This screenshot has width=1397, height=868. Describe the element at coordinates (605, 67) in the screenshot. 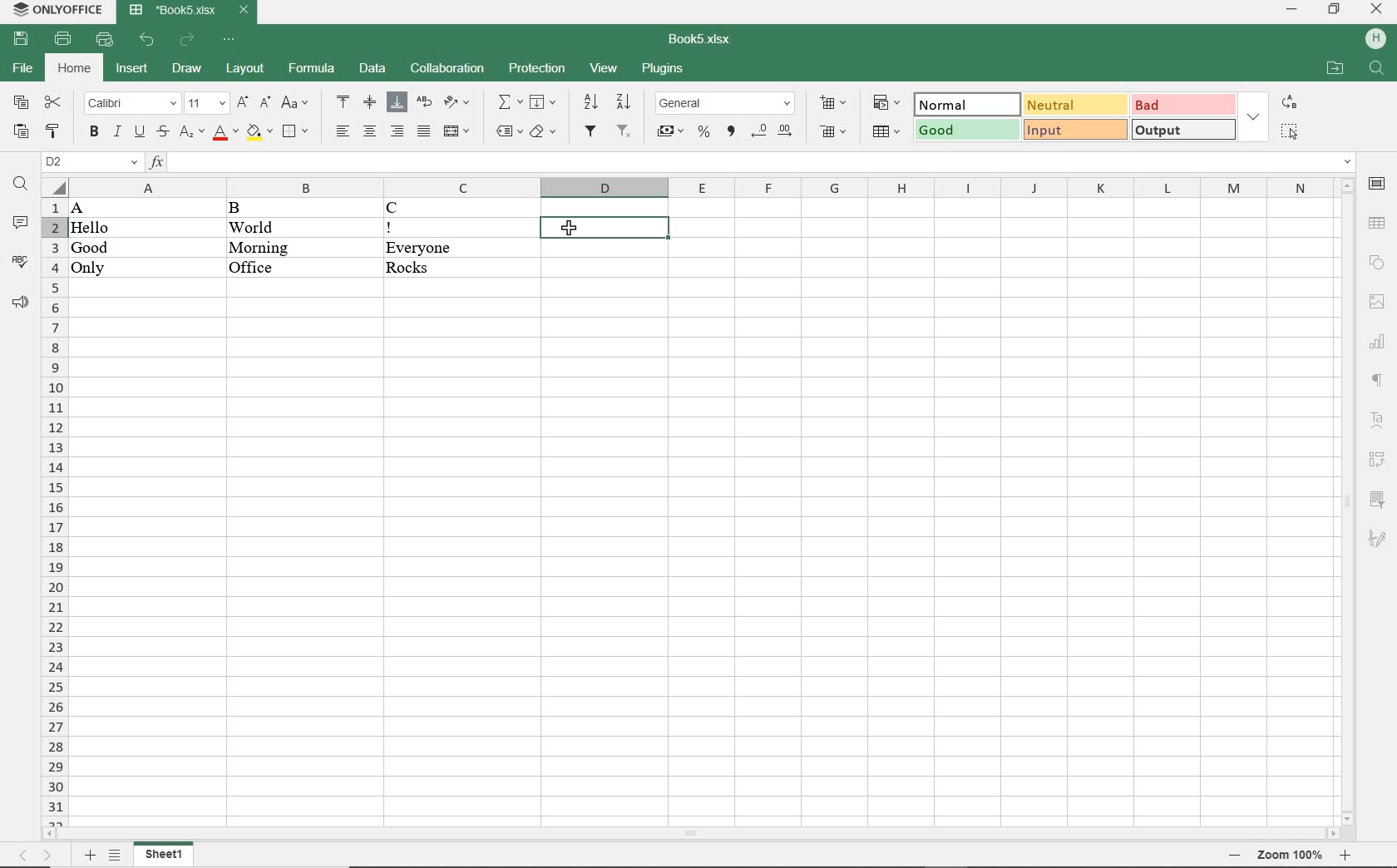

I see `VIEW` at that location.